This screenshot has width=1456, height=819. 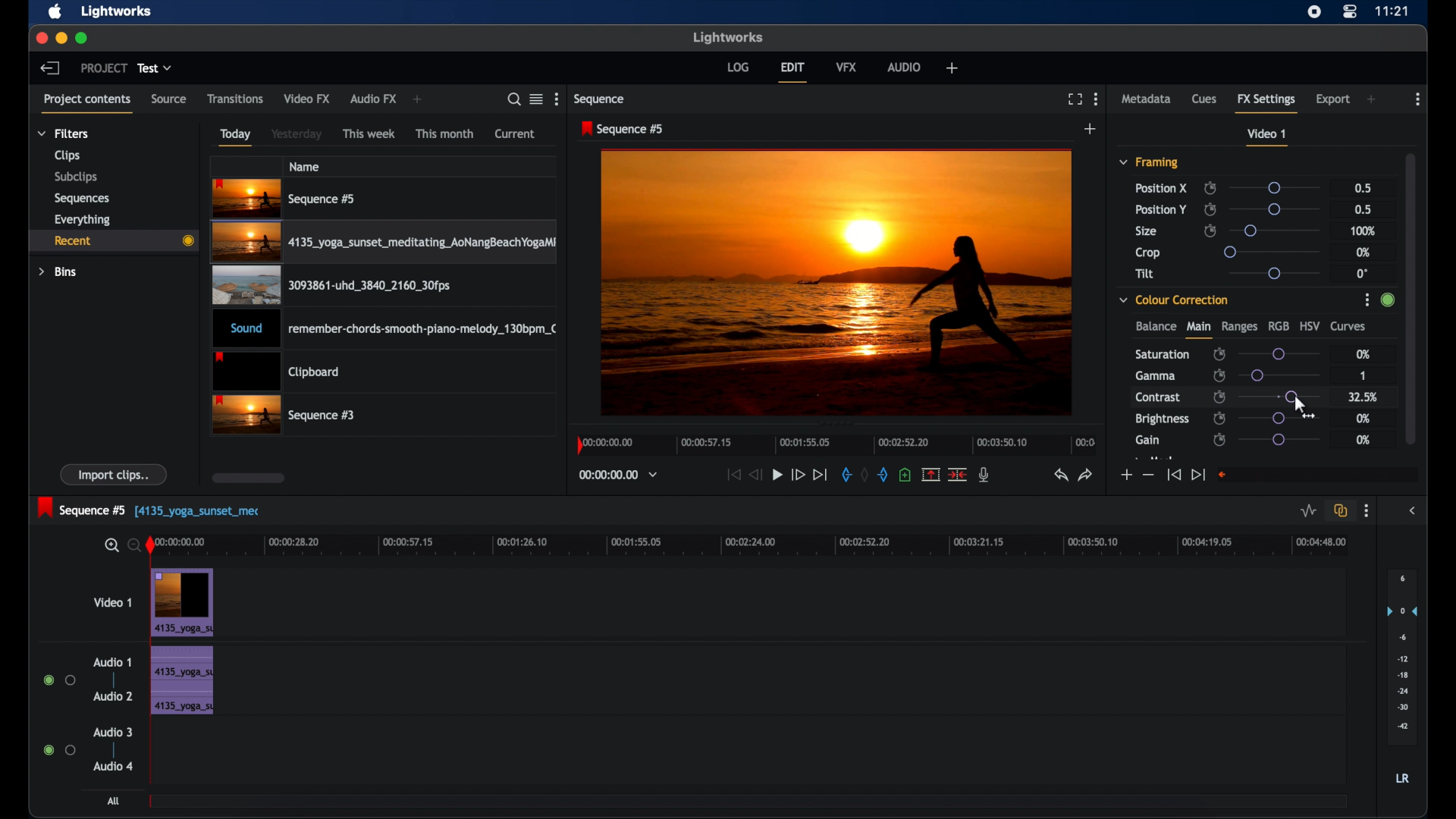 What do you see at coordinates (846, 477) in the screenshot?
I see `in mark` at bounding box center [846, 477].